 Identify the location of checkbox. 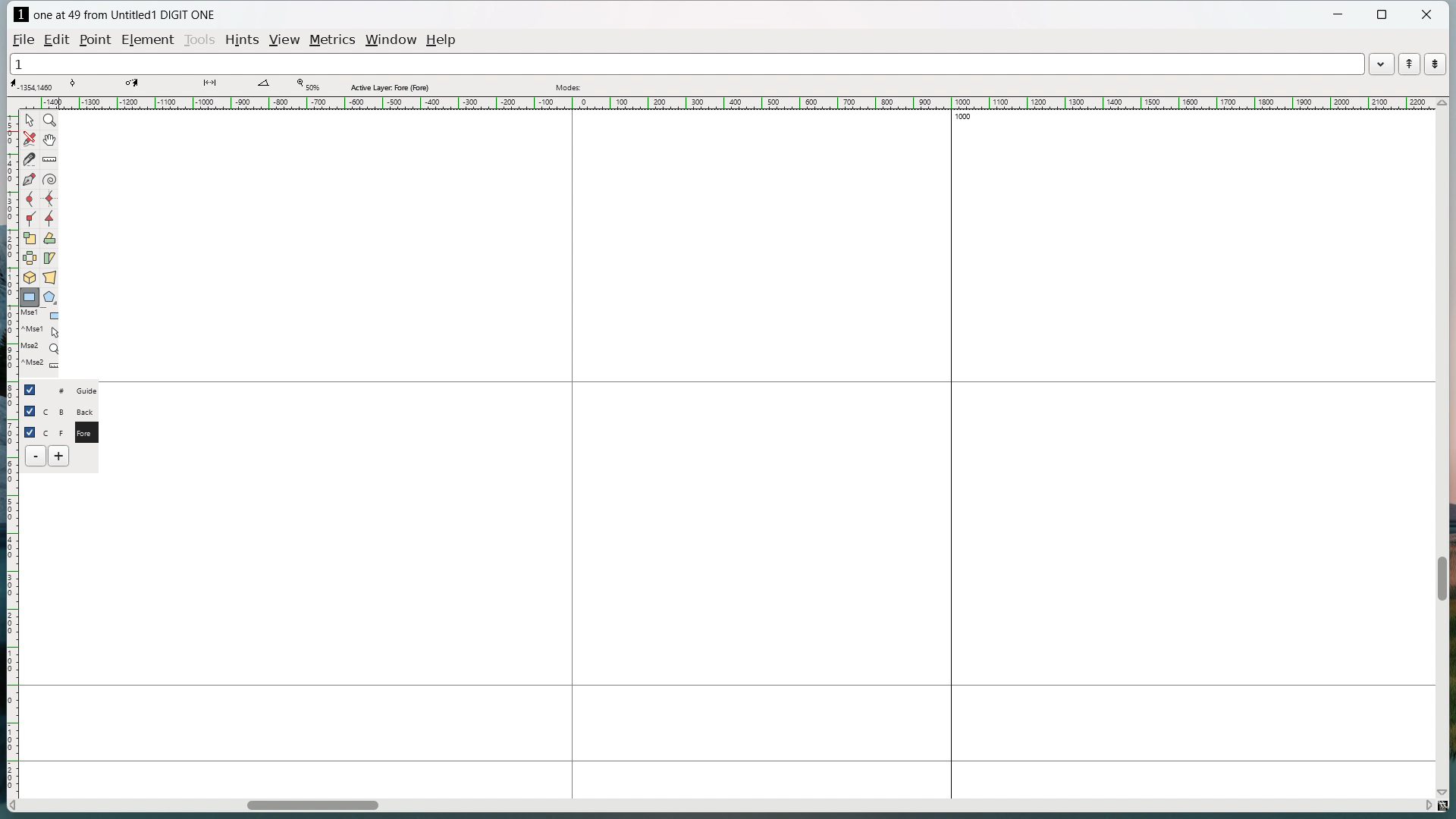
(30, 411).